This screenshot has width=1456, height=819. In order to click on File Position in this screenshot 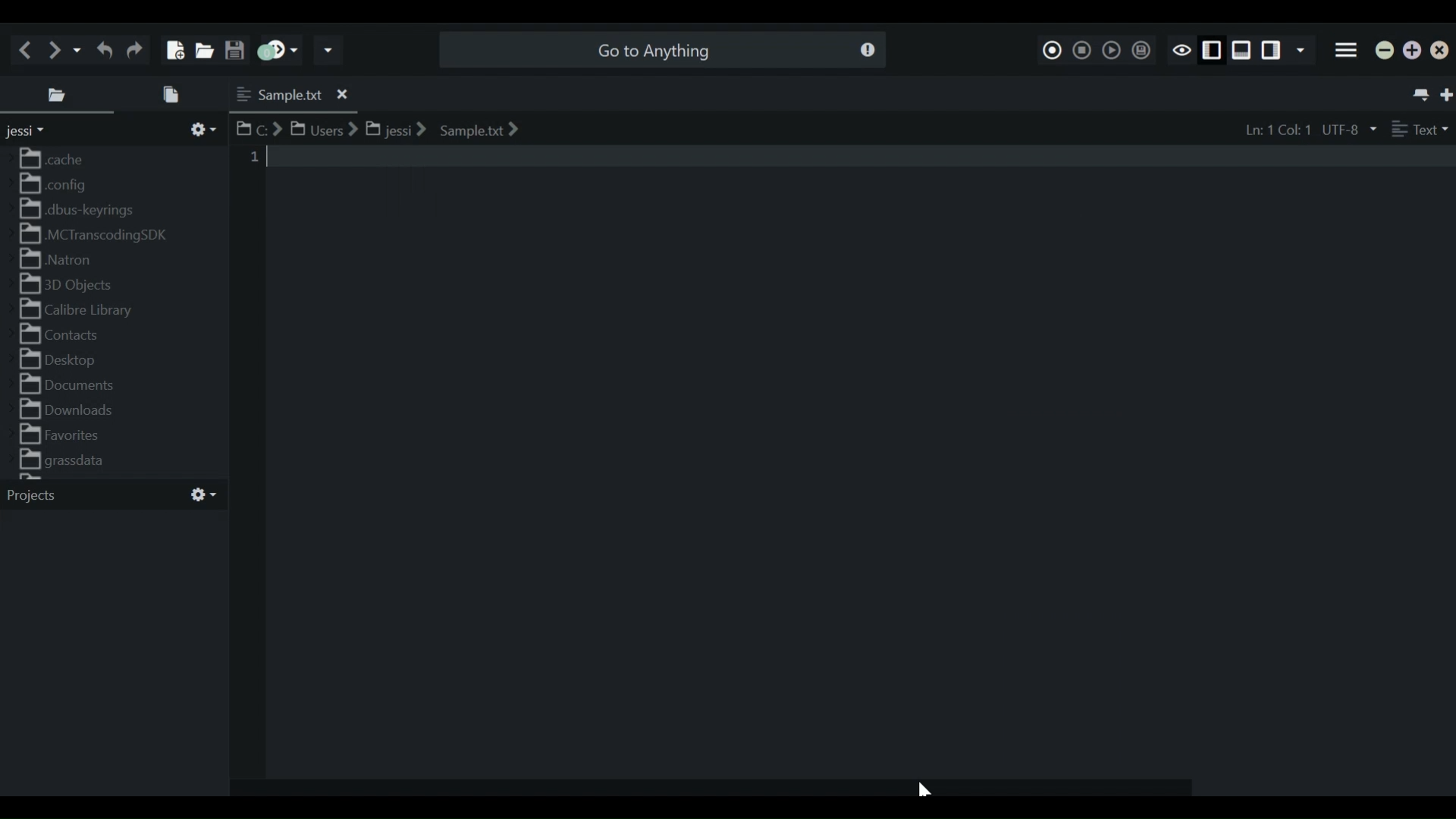, I will do `click(1270, 130)`.